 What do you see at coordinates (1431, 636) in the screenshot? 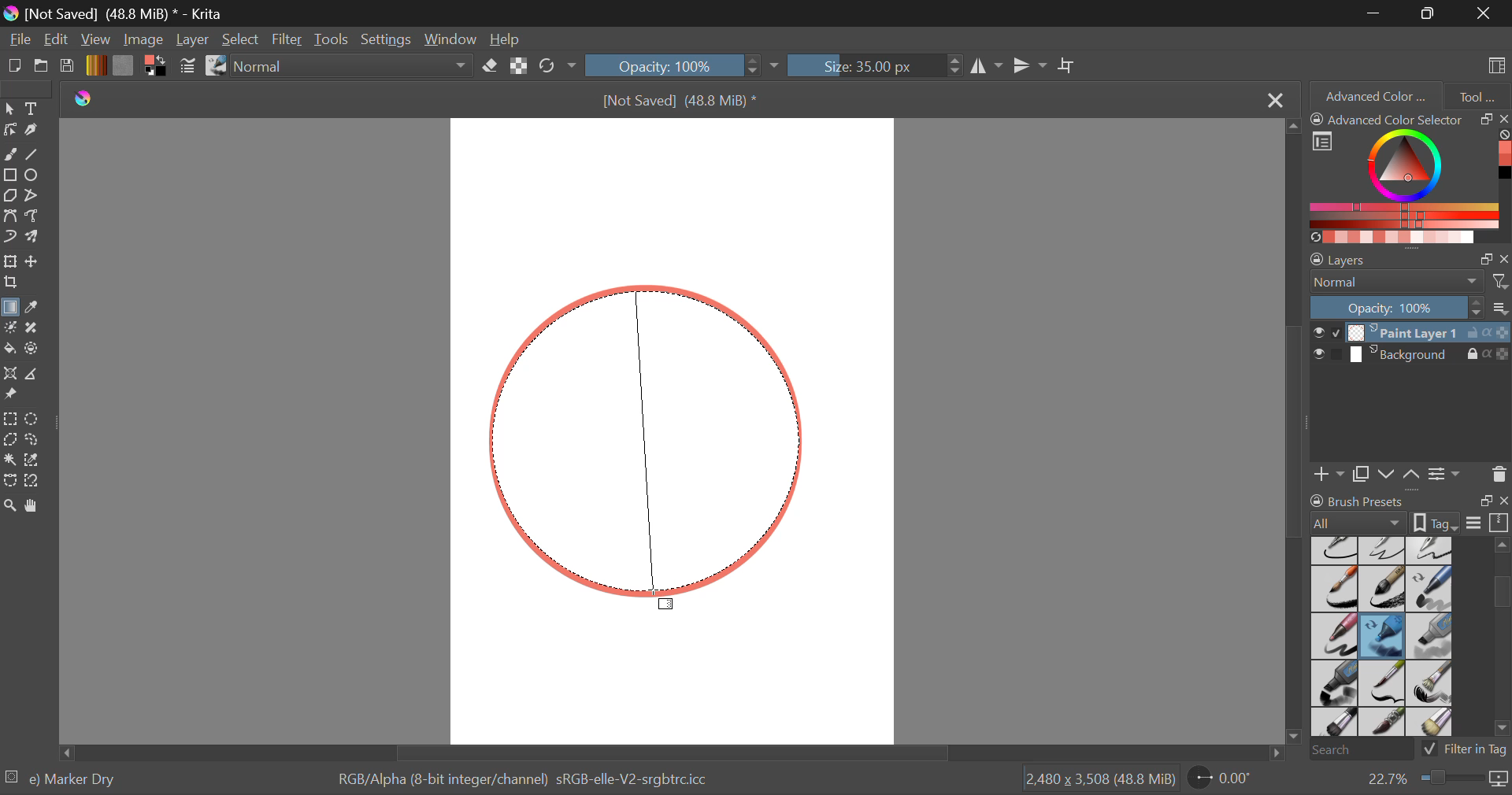
I see `Marker Medium` at bounding box center [1431, 636].